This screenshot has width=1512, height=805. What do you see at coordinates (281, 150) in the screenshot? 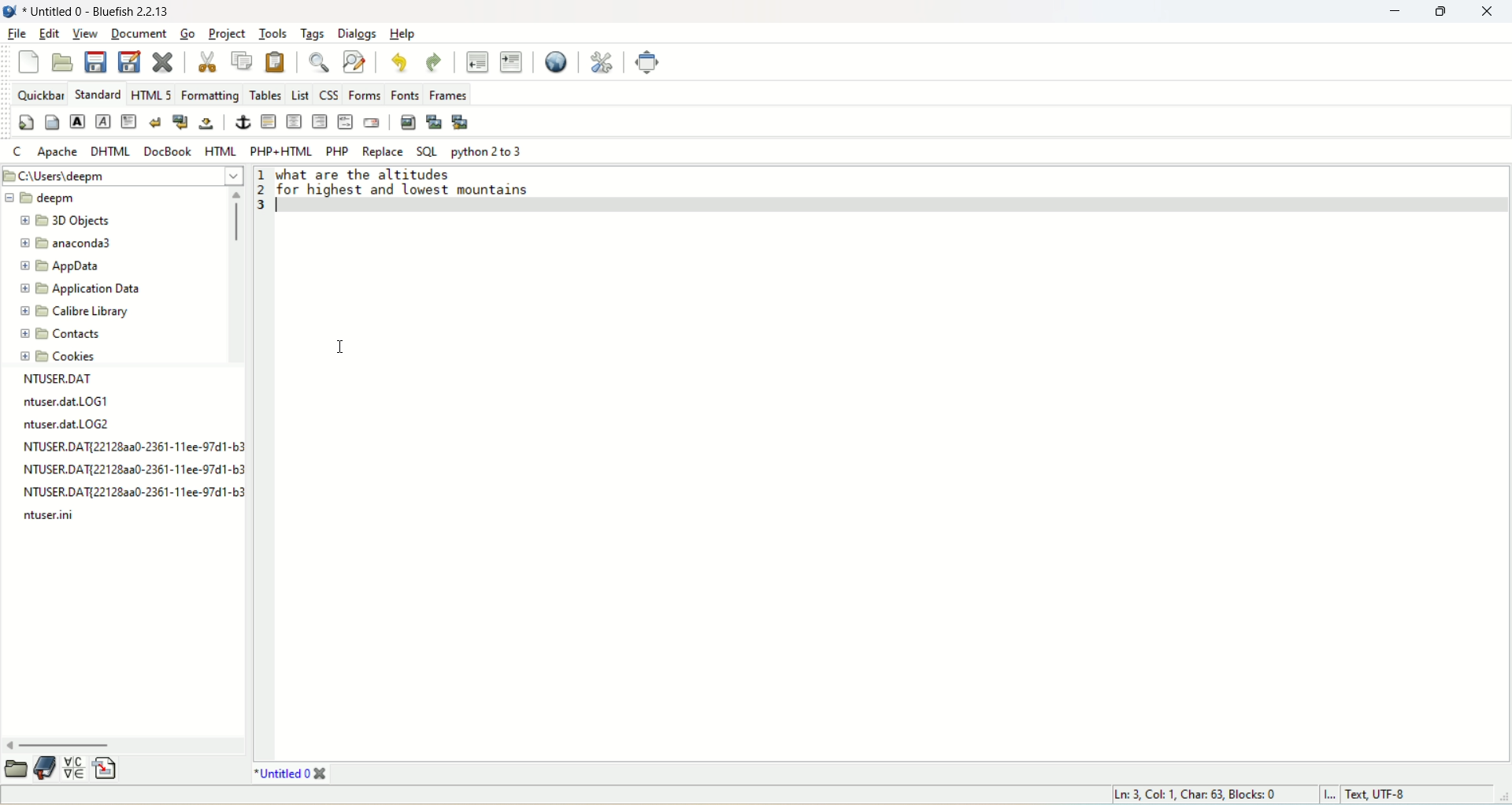
I see `PHP+HTML` at bounding box center [281, 150].